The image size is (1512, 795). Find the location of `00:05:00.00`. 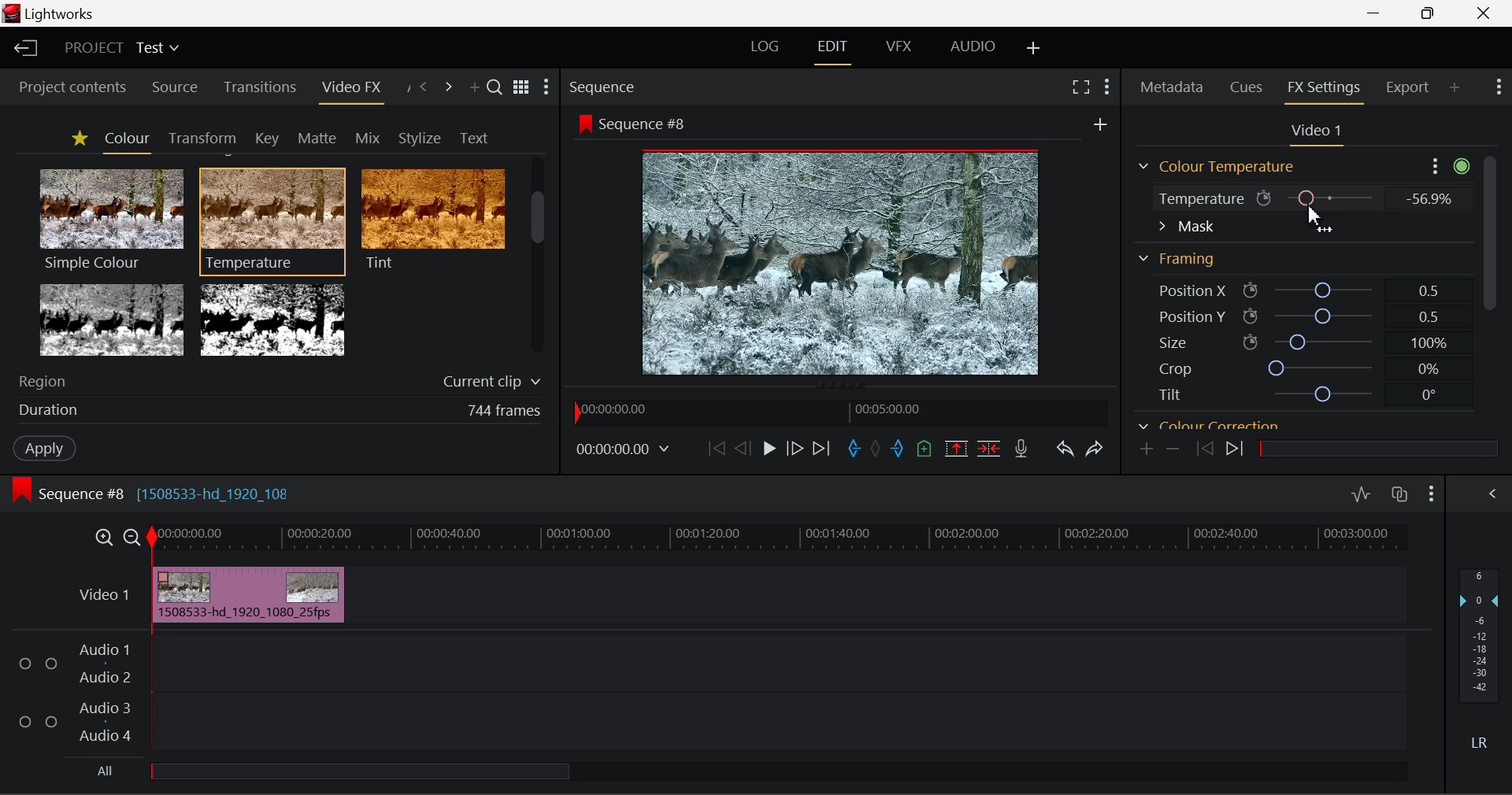

00:05:00.00 is located at coordinates (891, 409).